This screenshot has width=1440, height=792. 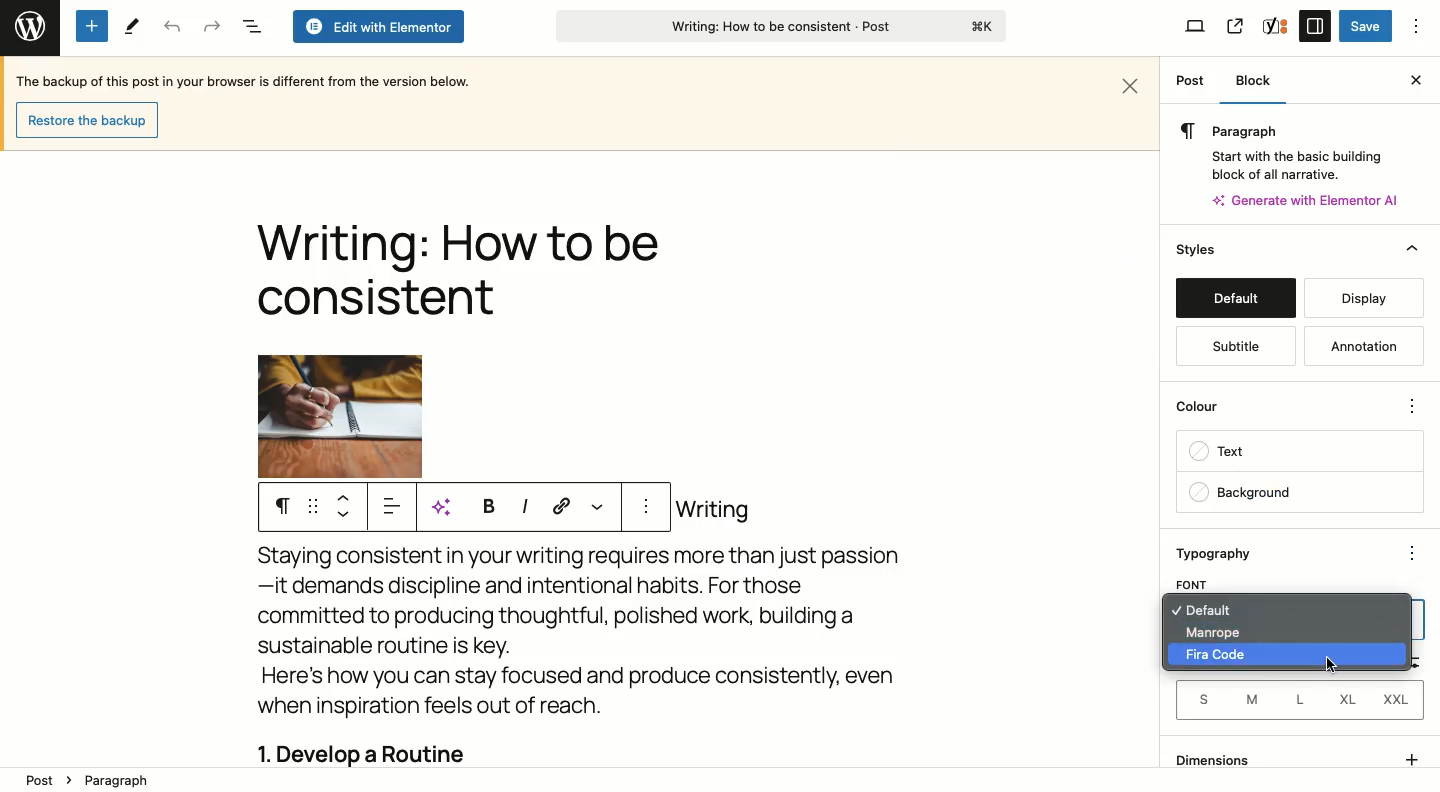 What do you see at coordinates (448, 507) in the screenshot?
I see `AI` at bounding box center [448, 507].